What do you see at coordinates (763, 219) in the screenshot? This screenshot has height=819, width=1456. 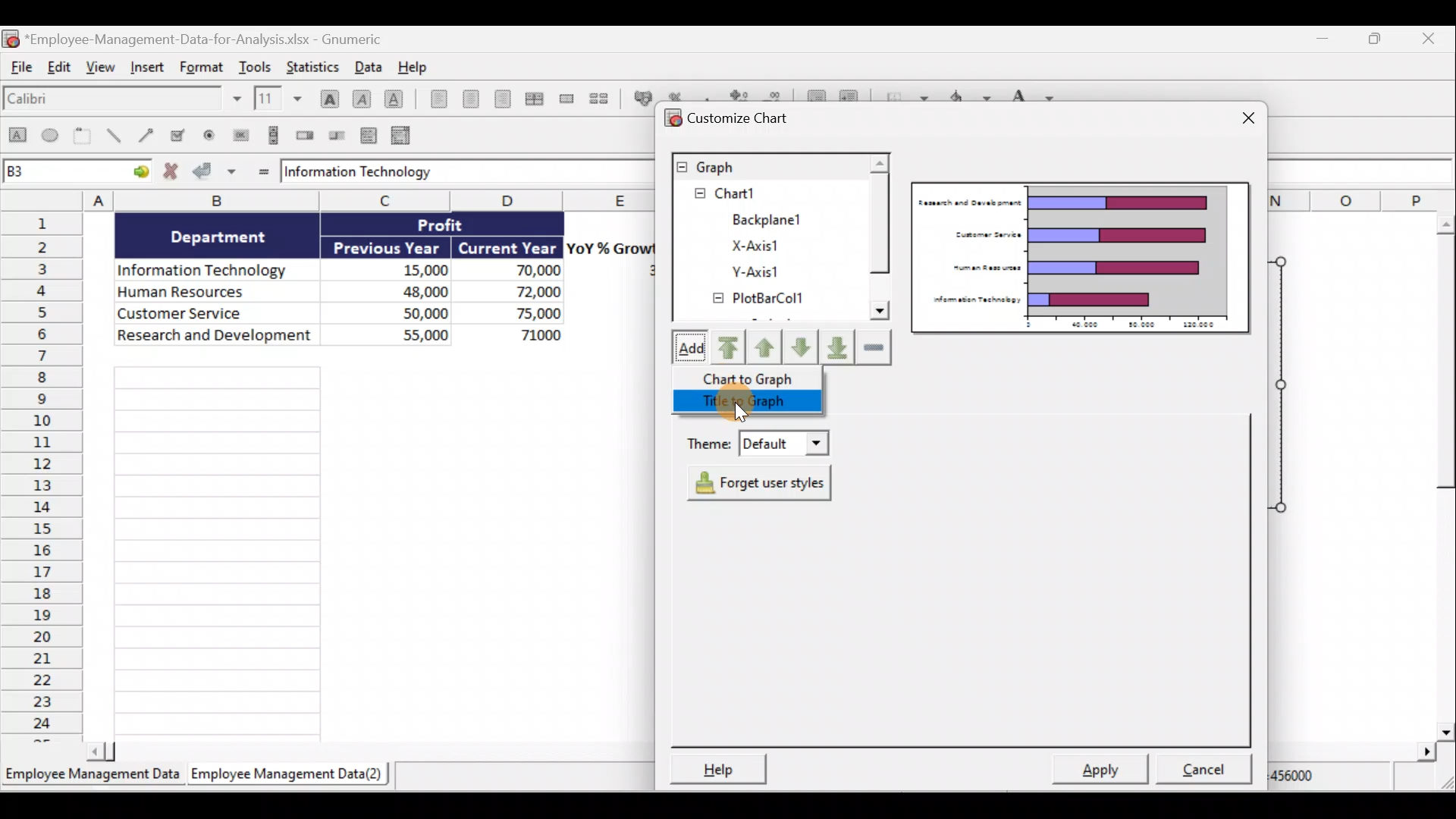 I see `Backplane1` at bounding box center [763, 219].